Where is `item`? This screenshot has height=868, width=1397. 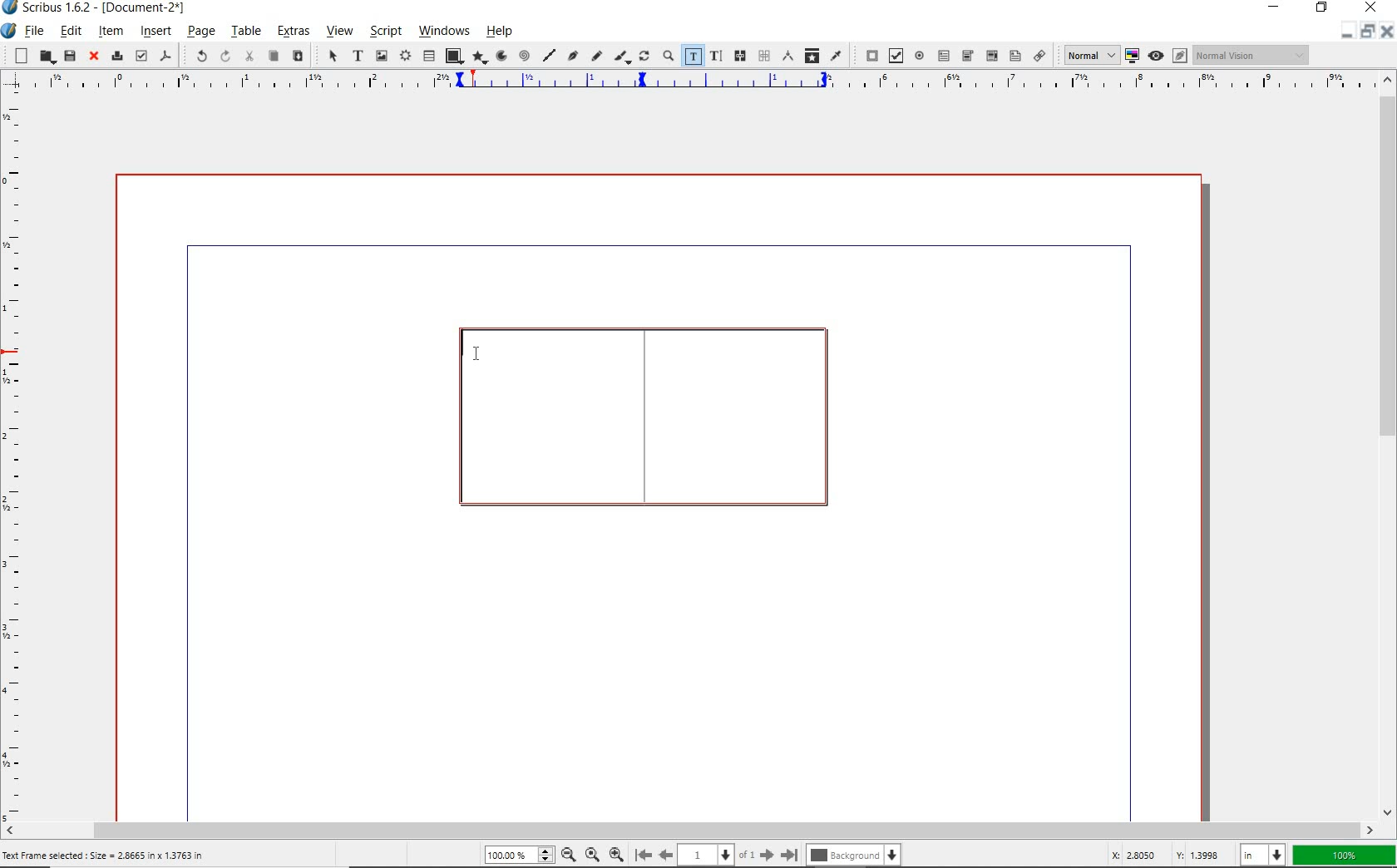
item is located at coordinates (113, 32).